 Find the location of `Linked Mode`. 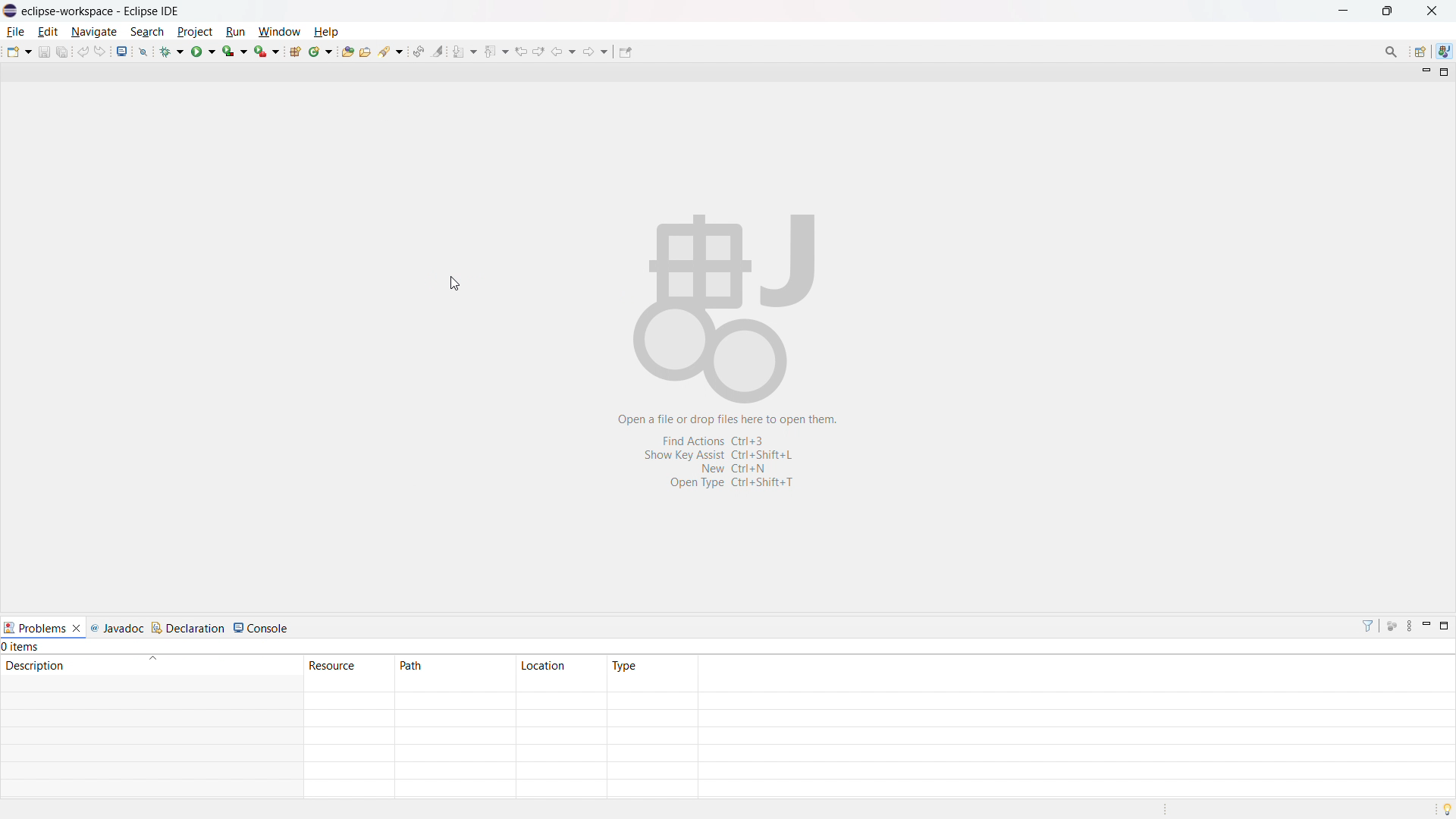

Linked Mode is located at coordinates (1408, 626).